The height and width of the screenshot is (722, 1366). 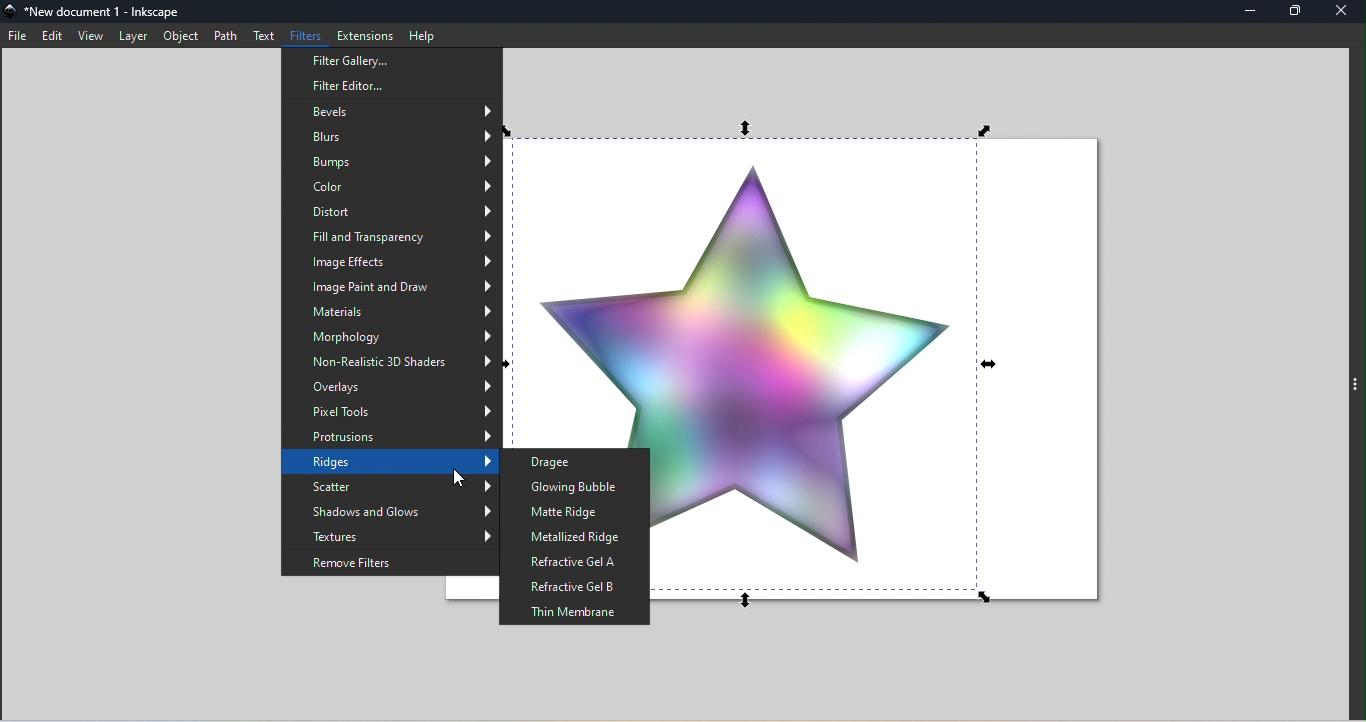 I want to click on Minimize, so click(x=1252, y=12).